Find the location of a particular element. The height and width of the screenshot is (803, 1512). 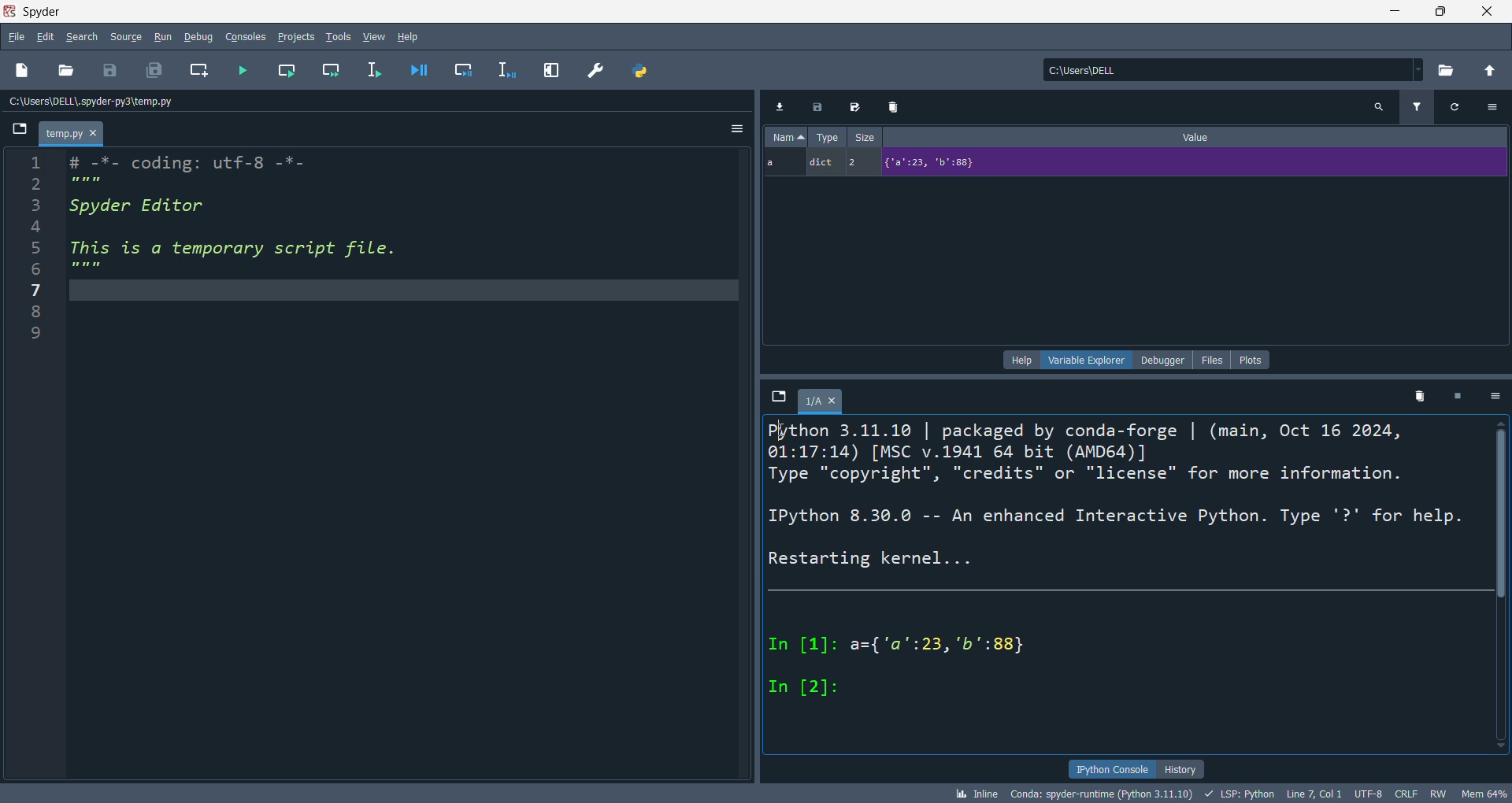

help is located at coordinates (411, 37).